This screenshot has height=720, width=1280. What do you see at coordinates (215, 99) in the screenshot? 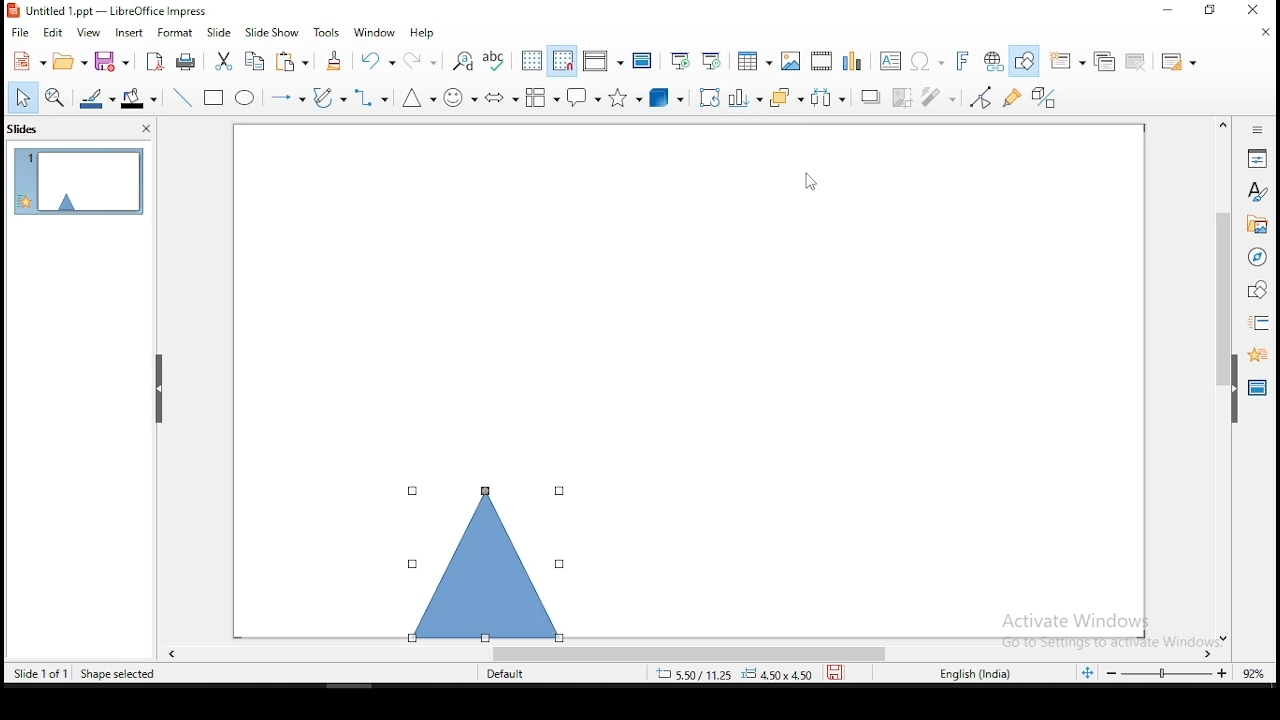
I see `rectangle` at bounding box center [215, 99].